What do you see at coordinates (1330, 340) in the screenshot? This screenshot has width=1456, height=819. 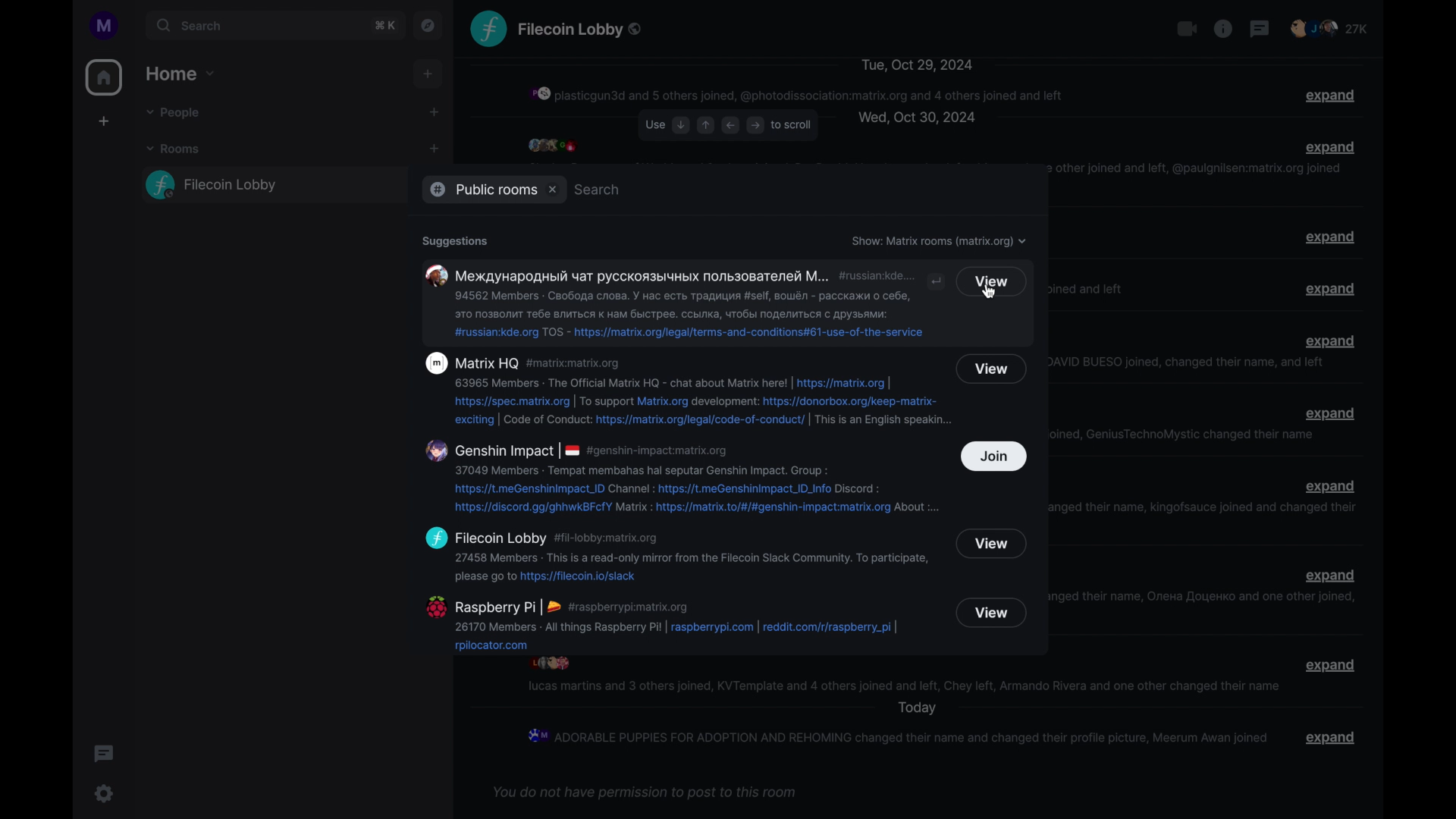 I see `expand` at bounding box center [1330, 340].